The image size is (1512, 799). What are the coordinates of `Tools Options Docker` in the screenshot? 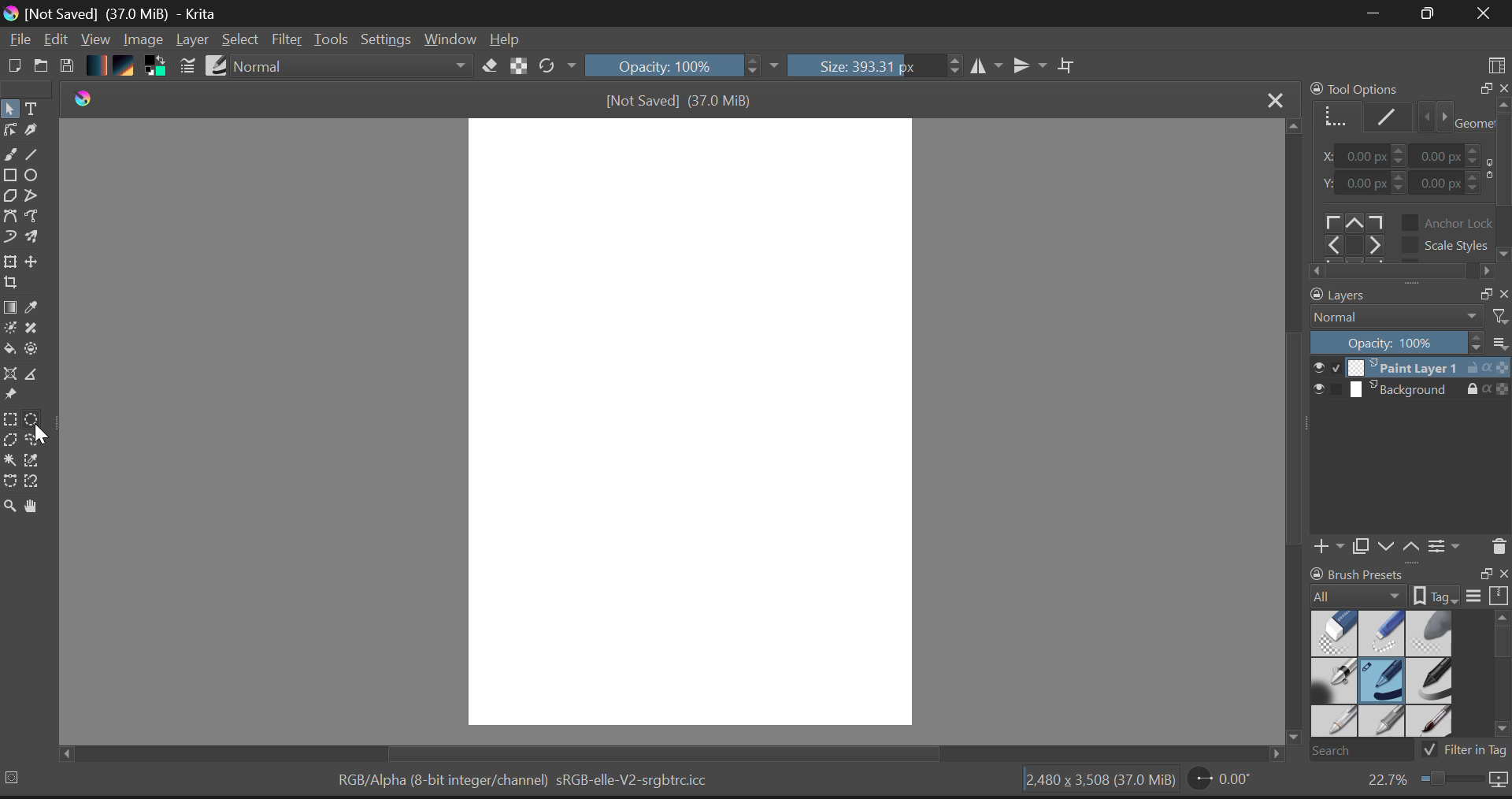 It's located at (1408, 179).